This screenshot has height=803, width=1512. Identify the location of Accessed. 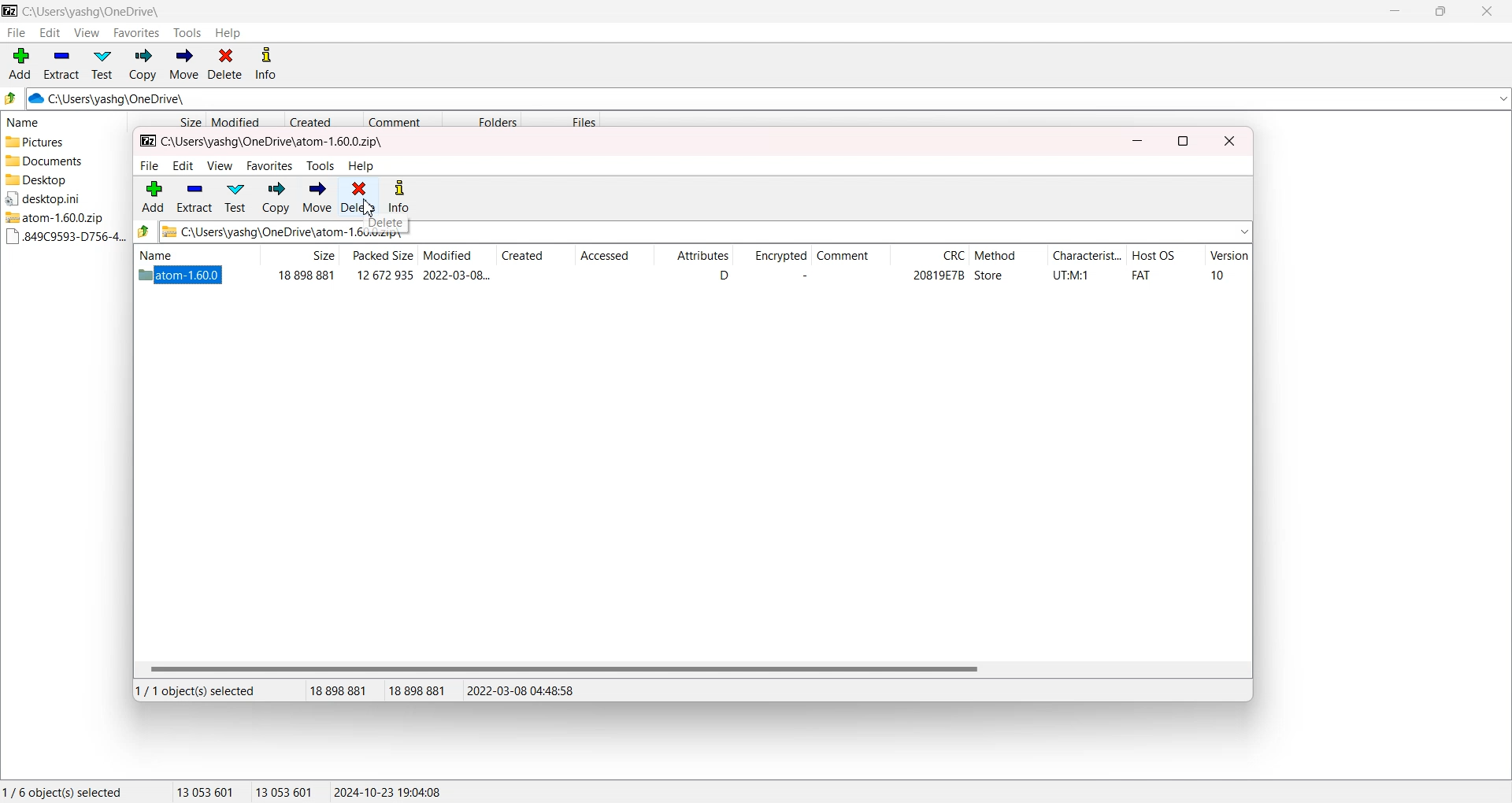
(613, 257).